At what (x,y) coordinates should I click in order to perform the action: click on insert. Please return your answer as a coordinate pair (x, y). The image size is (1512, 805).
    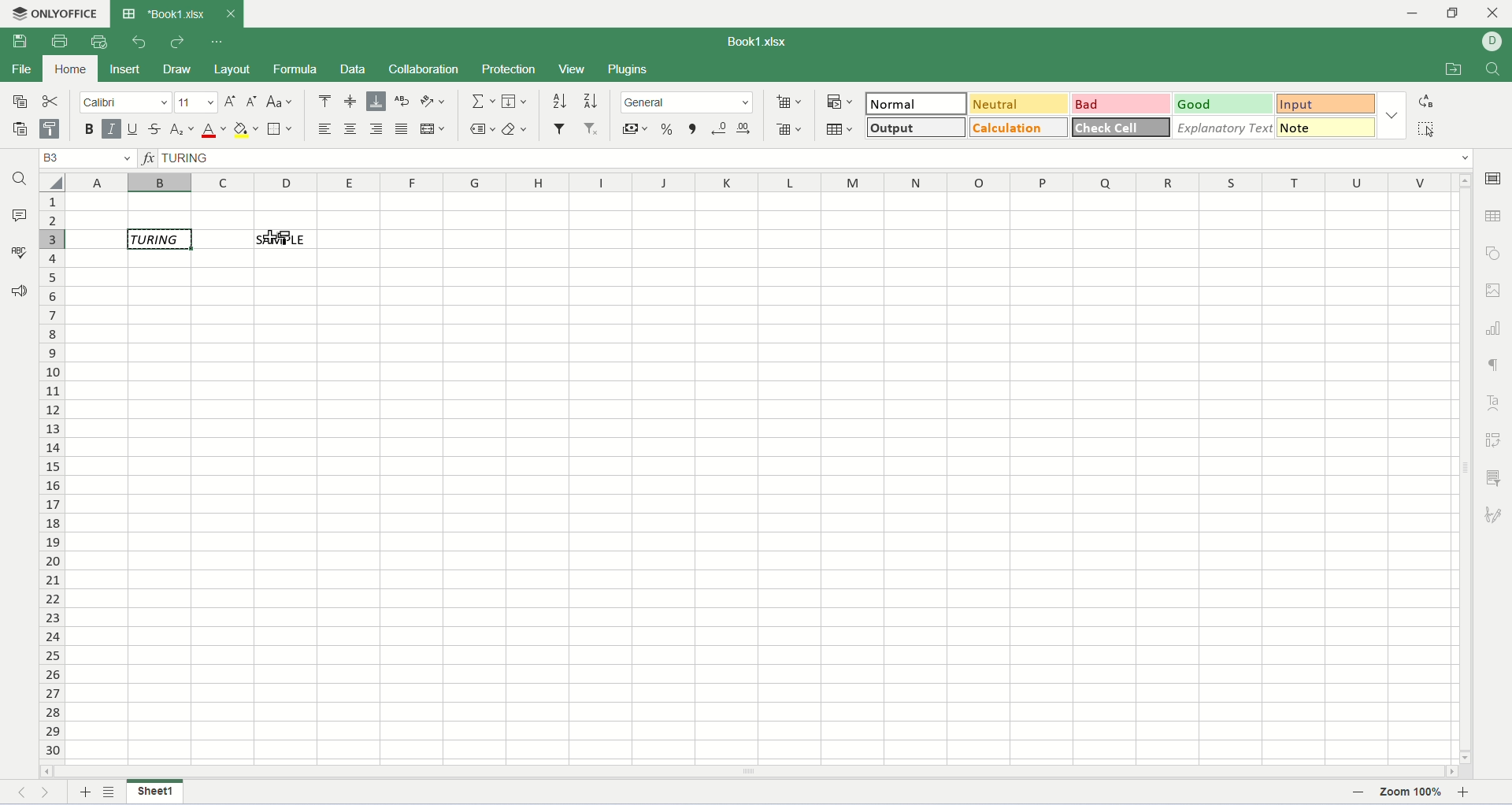
    Looking at the image, I should click on (124, 69).